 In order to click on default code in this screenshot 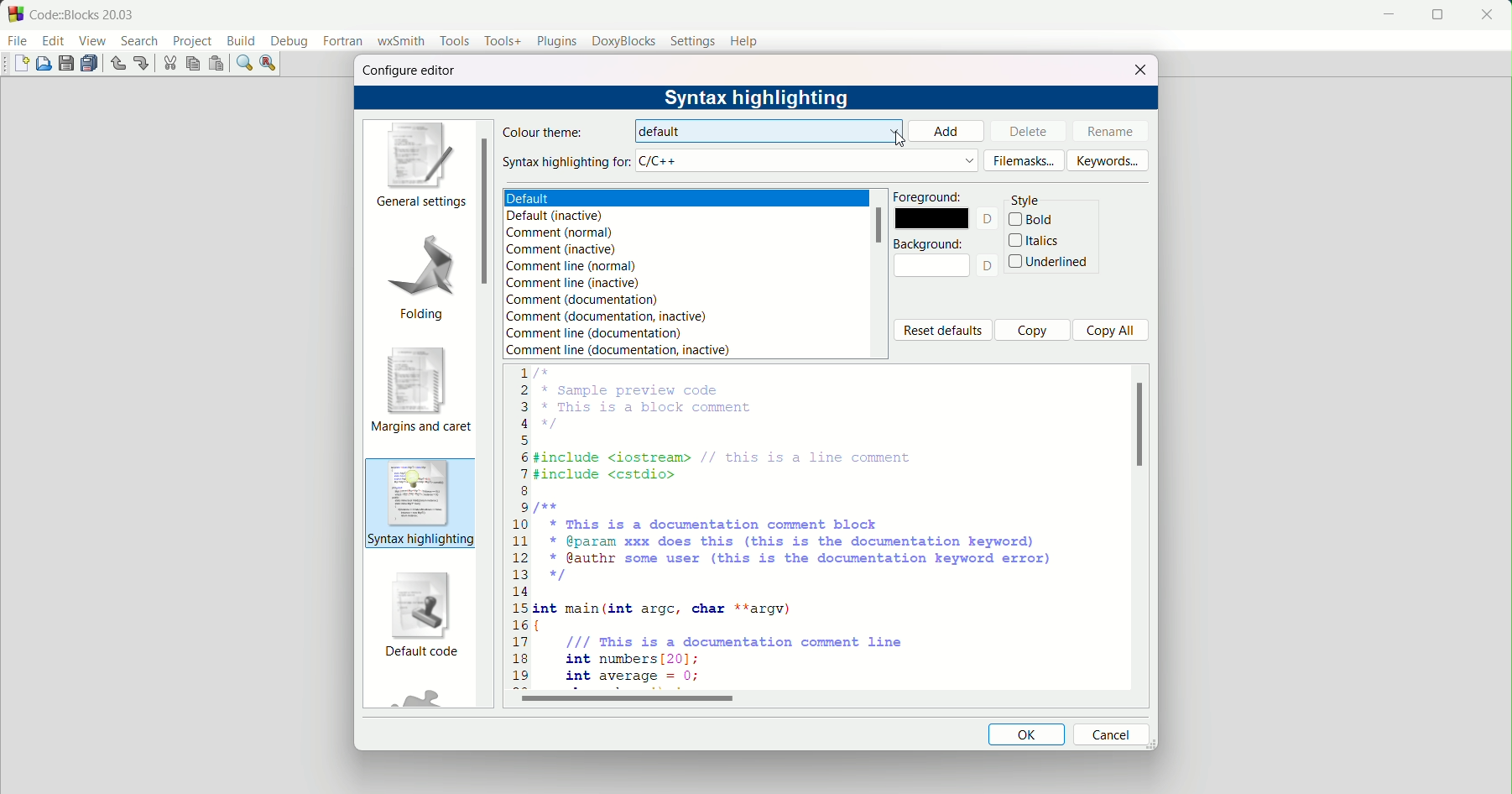, I will do `click(421, 616)`.